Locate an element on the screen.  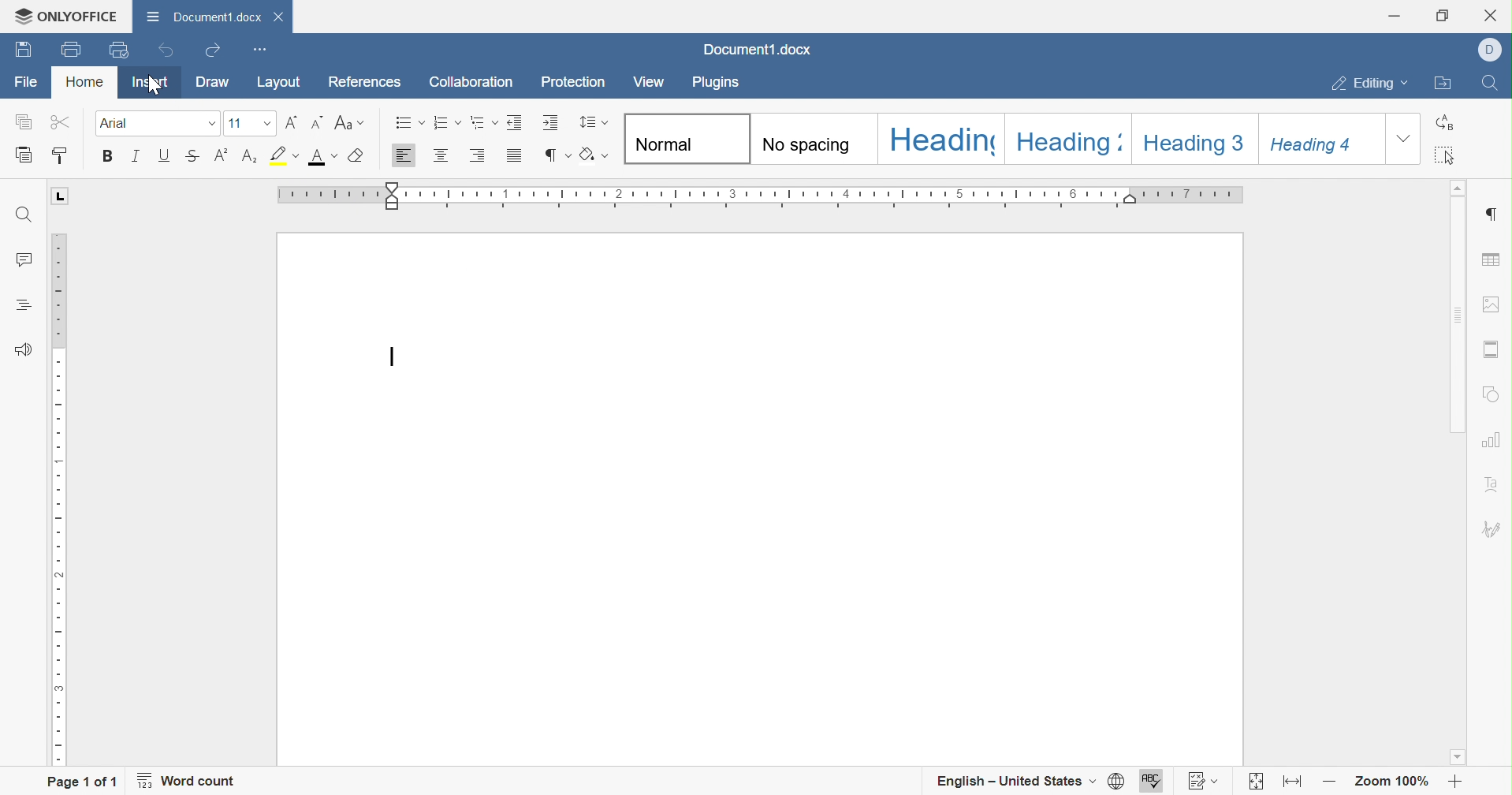
Drop down is located at coordinates (1402, 141).